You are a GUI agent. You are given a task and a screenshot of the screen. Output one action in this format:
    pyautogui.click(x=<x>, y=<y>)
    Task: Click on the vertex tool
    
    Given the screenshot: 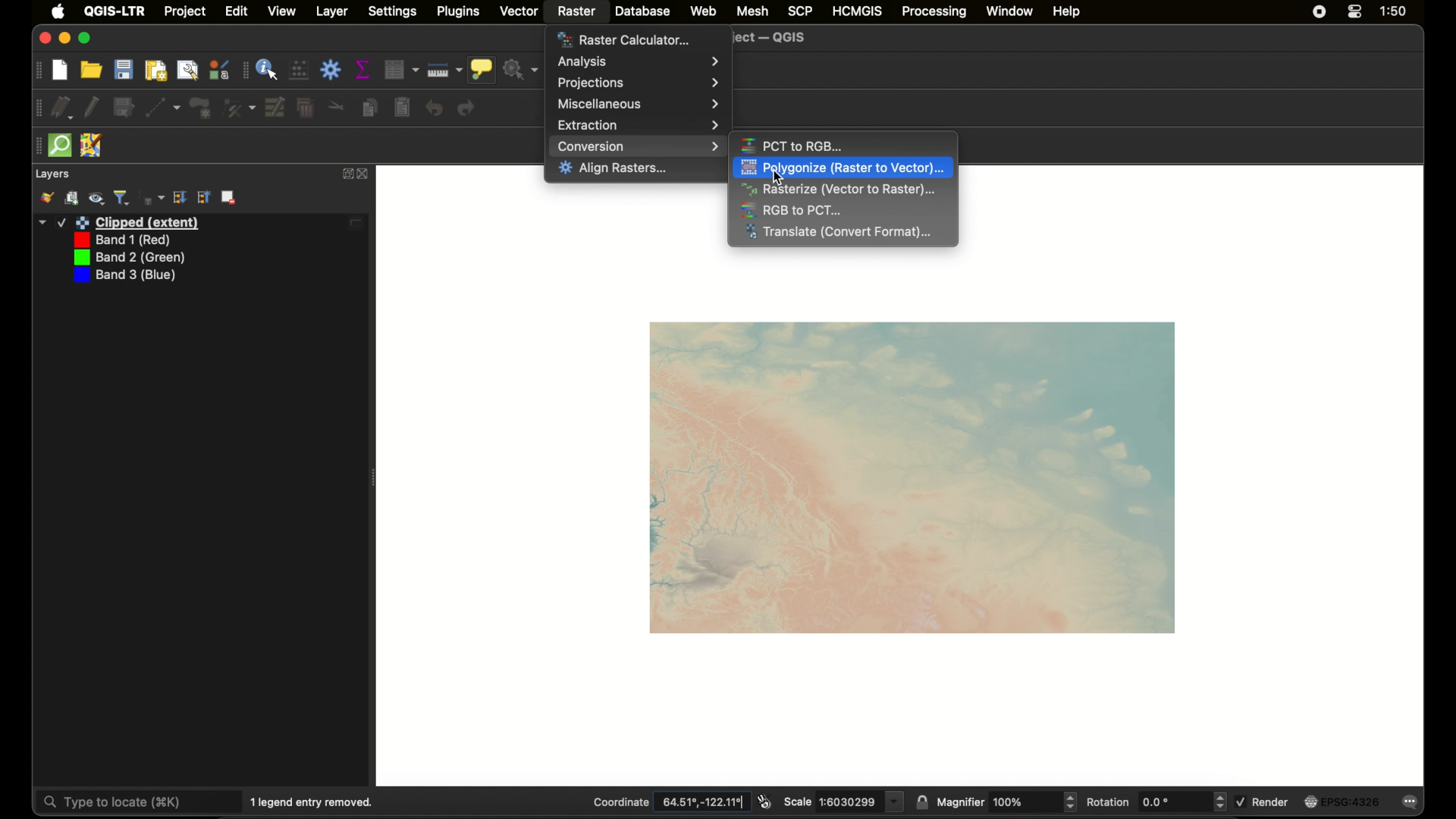 What is the action you would take?
    pyautogui.click(x=238, y=108)
    